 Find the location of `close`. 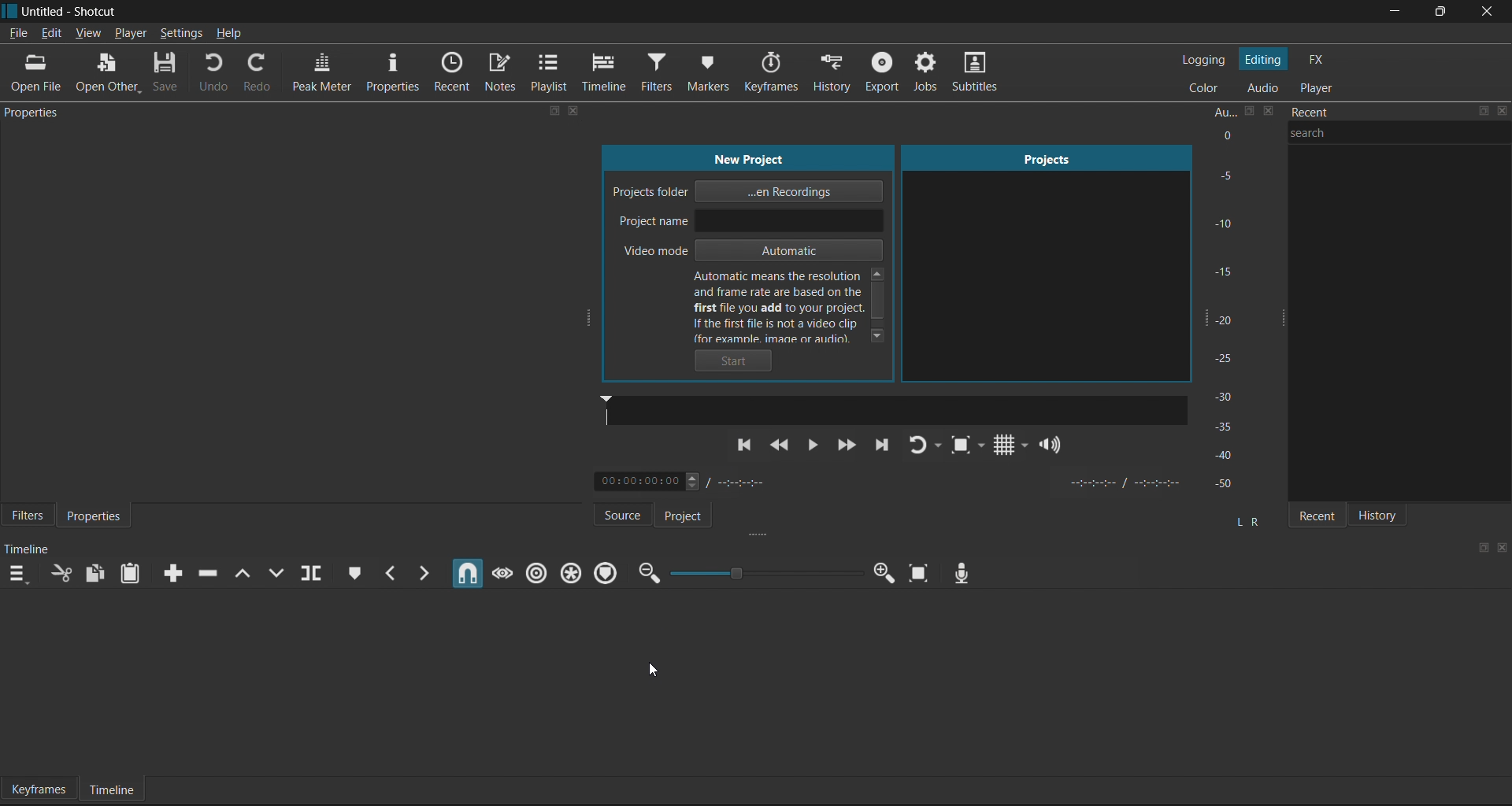

close is located at coordinates (1485, 13).